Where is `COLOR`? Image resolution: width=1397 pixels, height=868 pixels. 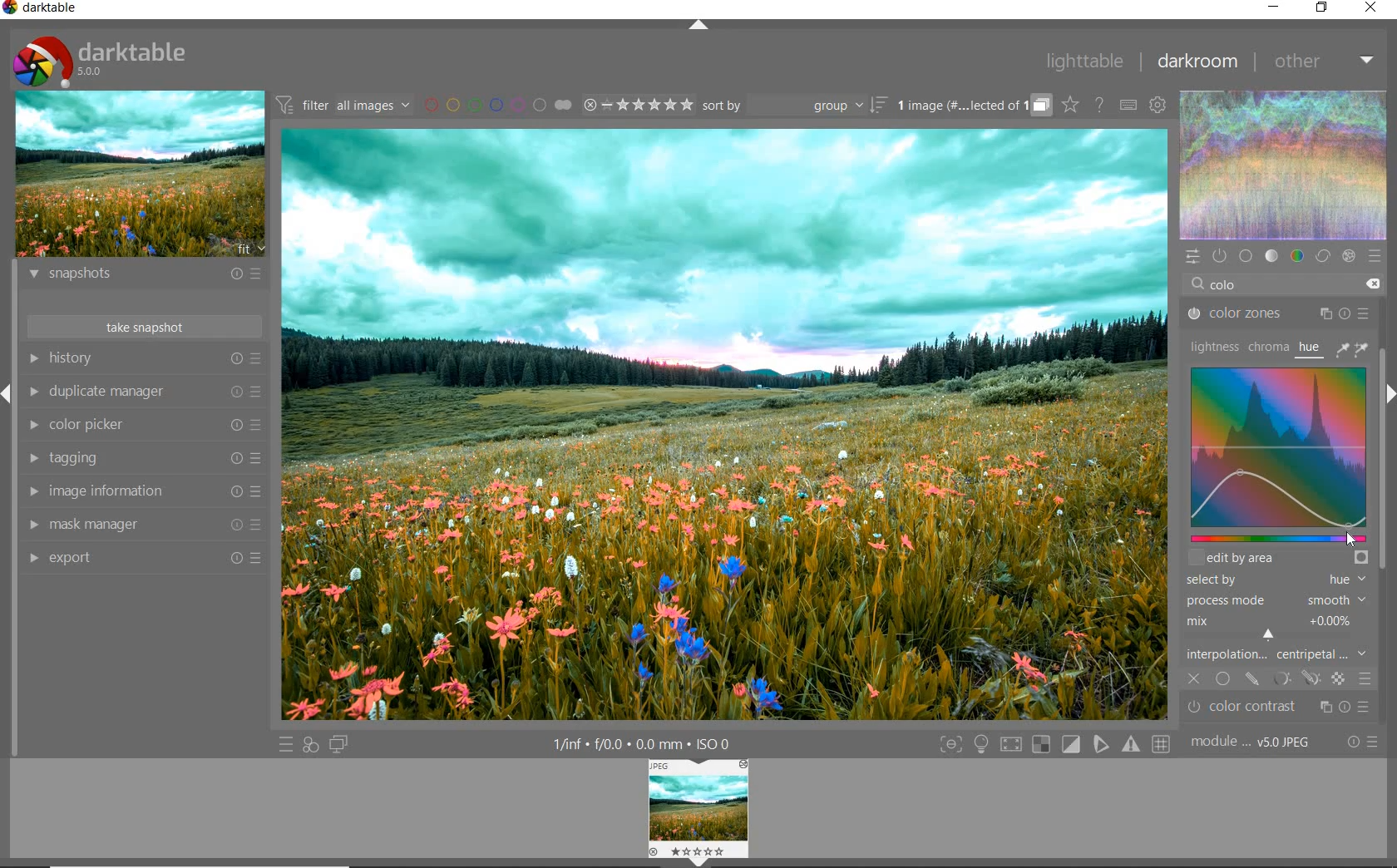 COLOR is located at coordinates (1244, 286).